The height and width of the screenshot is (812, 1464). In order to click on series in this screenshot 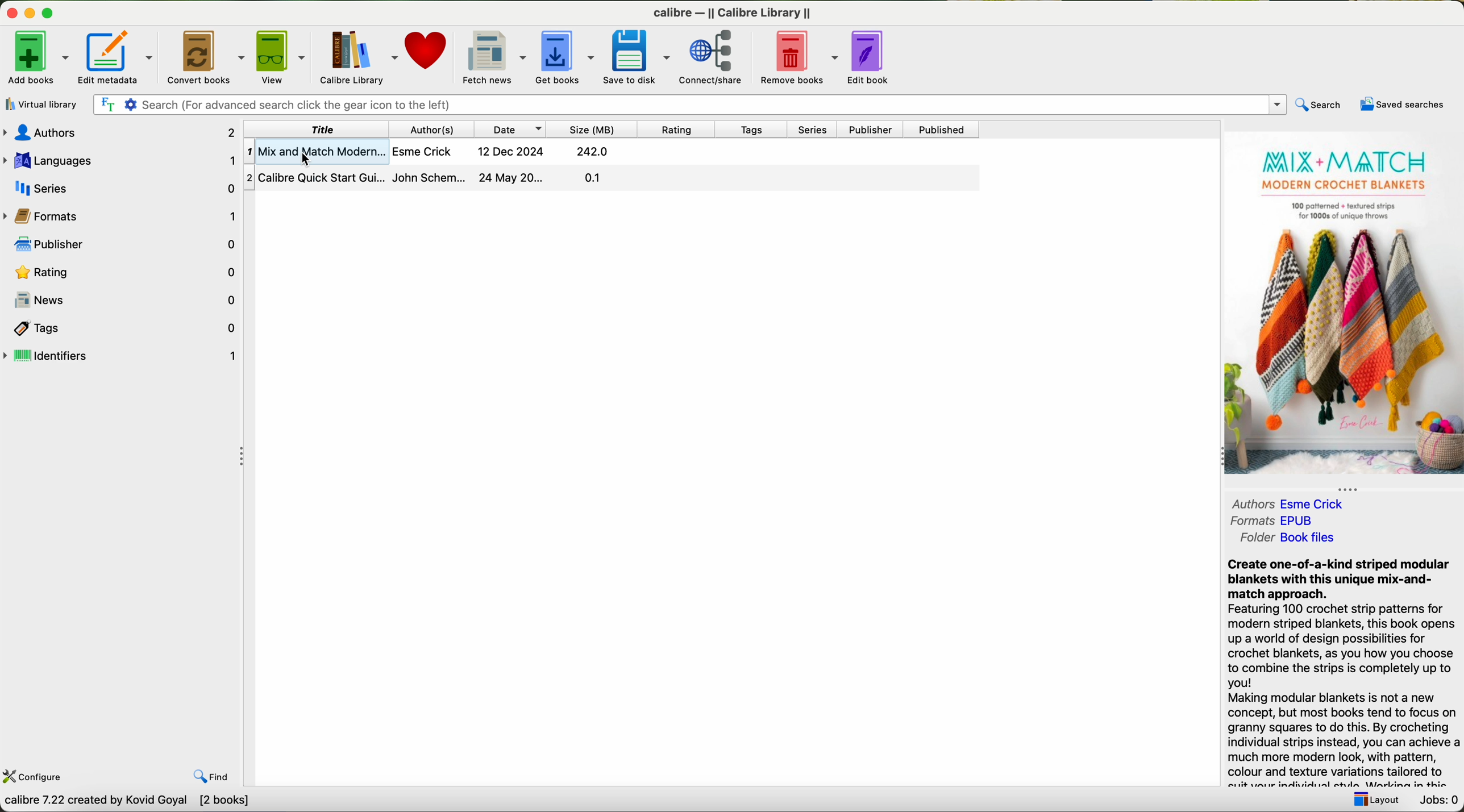, I will do `click(813, 130)`.